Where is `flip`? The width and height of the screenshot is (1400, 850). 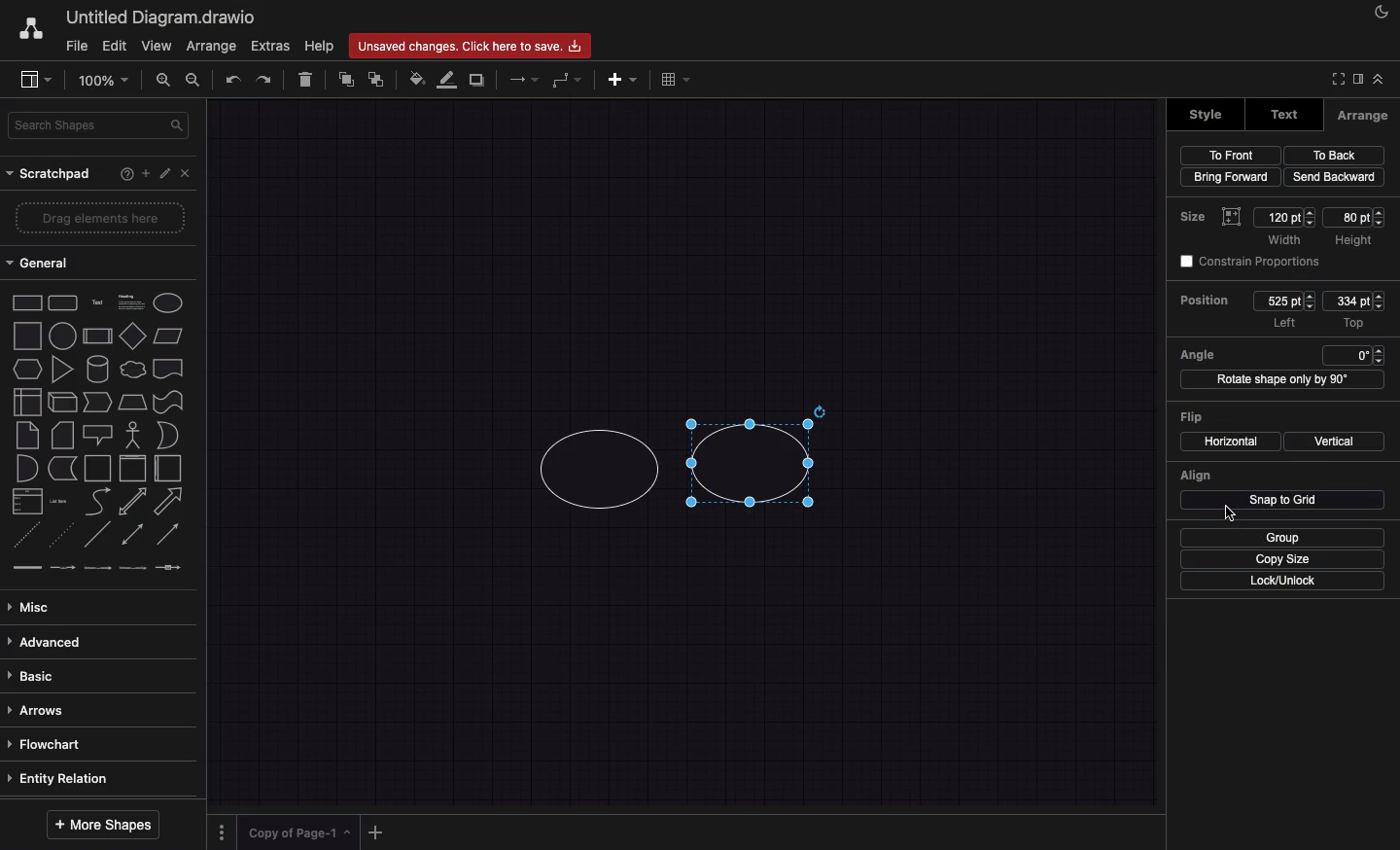
flip is located at coordinates (1193, 417).